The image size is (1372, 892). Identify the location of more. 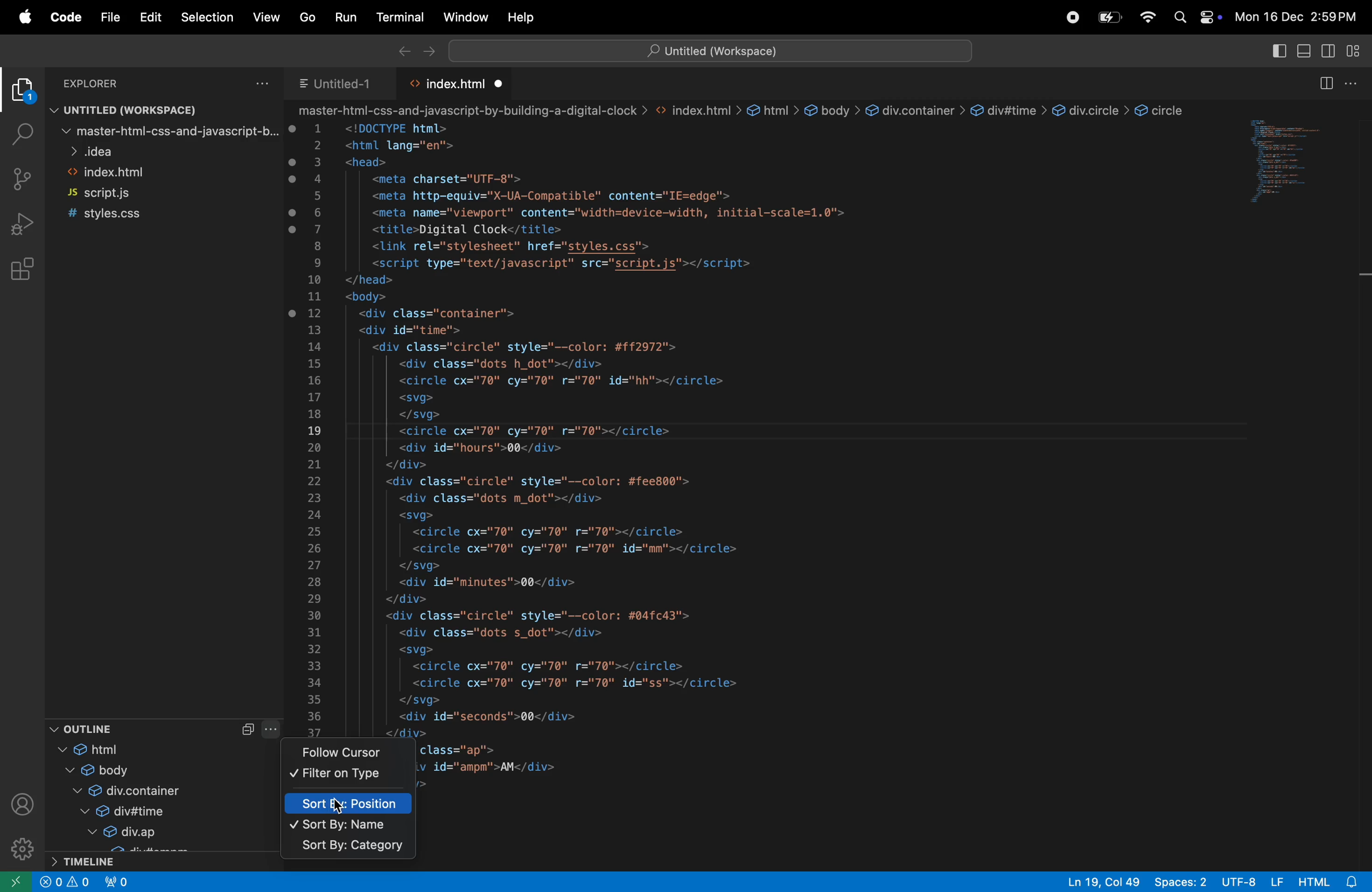
(273, 729).